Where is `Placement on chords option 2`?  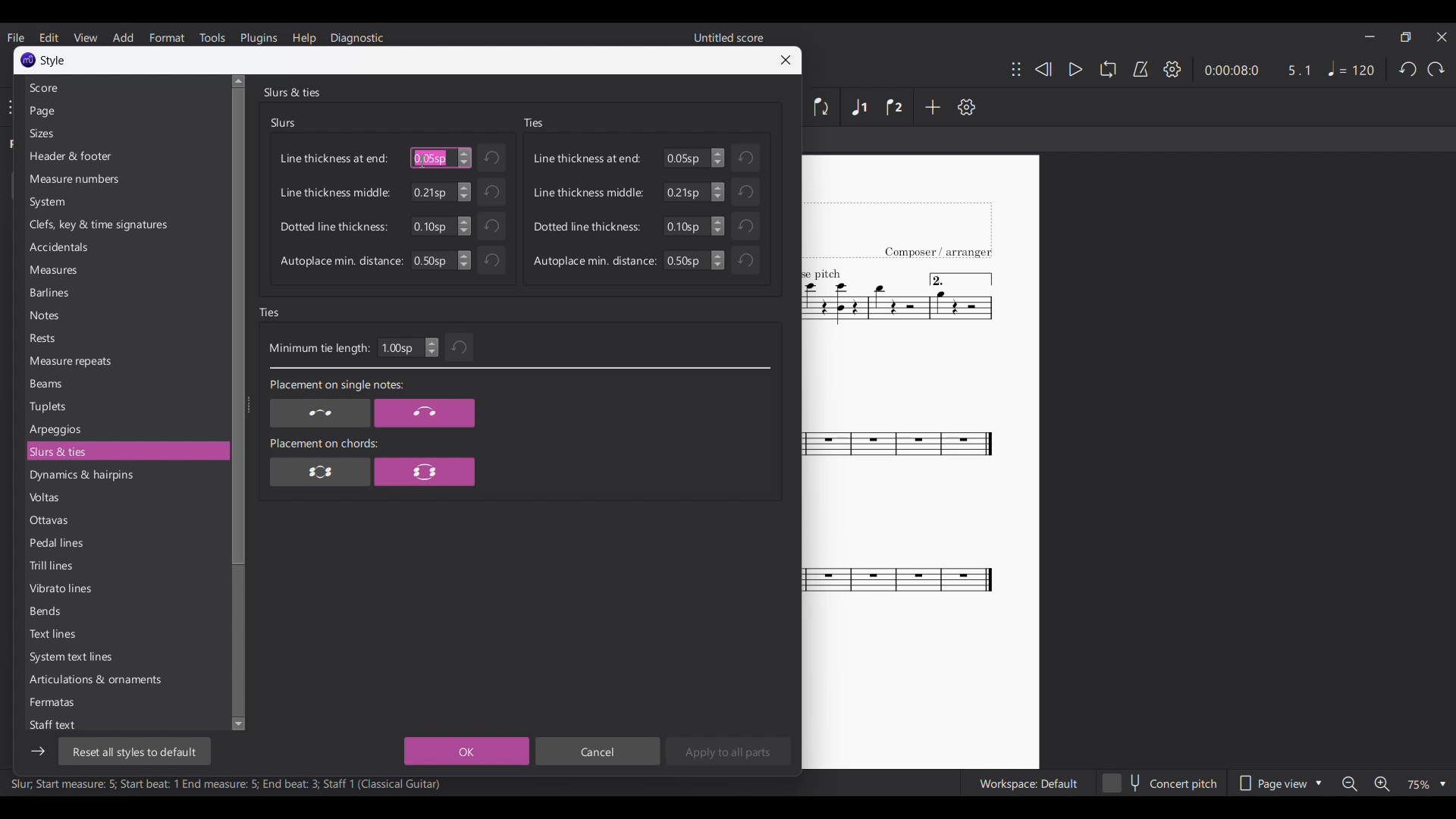 Placement on chords option 2 is located at coordinates (425, 471).